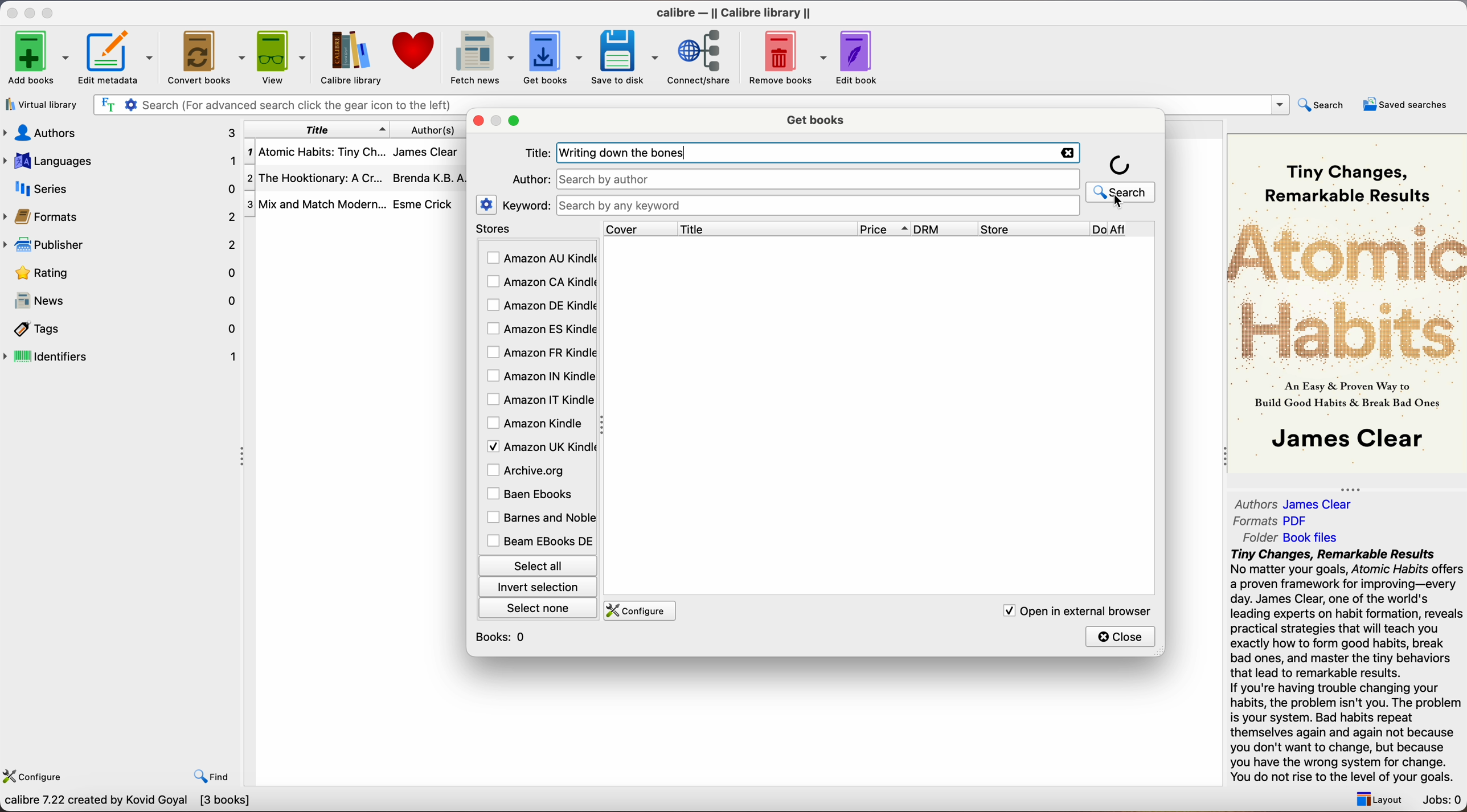 This screenshot has width=1467, height=812. I want to click on James Clear, so click(425, 150).